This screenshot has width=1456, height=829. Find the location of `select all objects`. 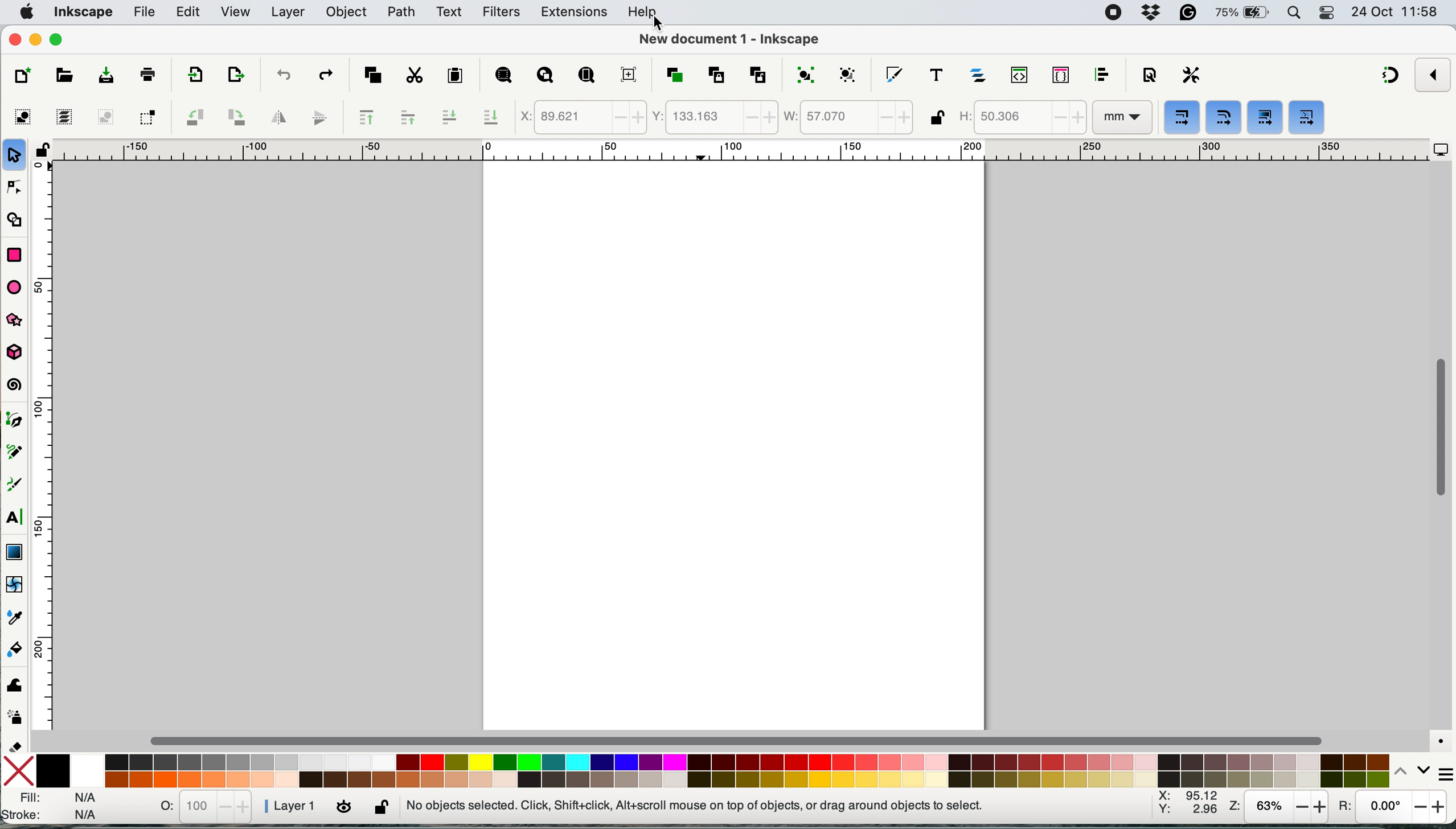

select all objects is located at coordinates (21, 117).